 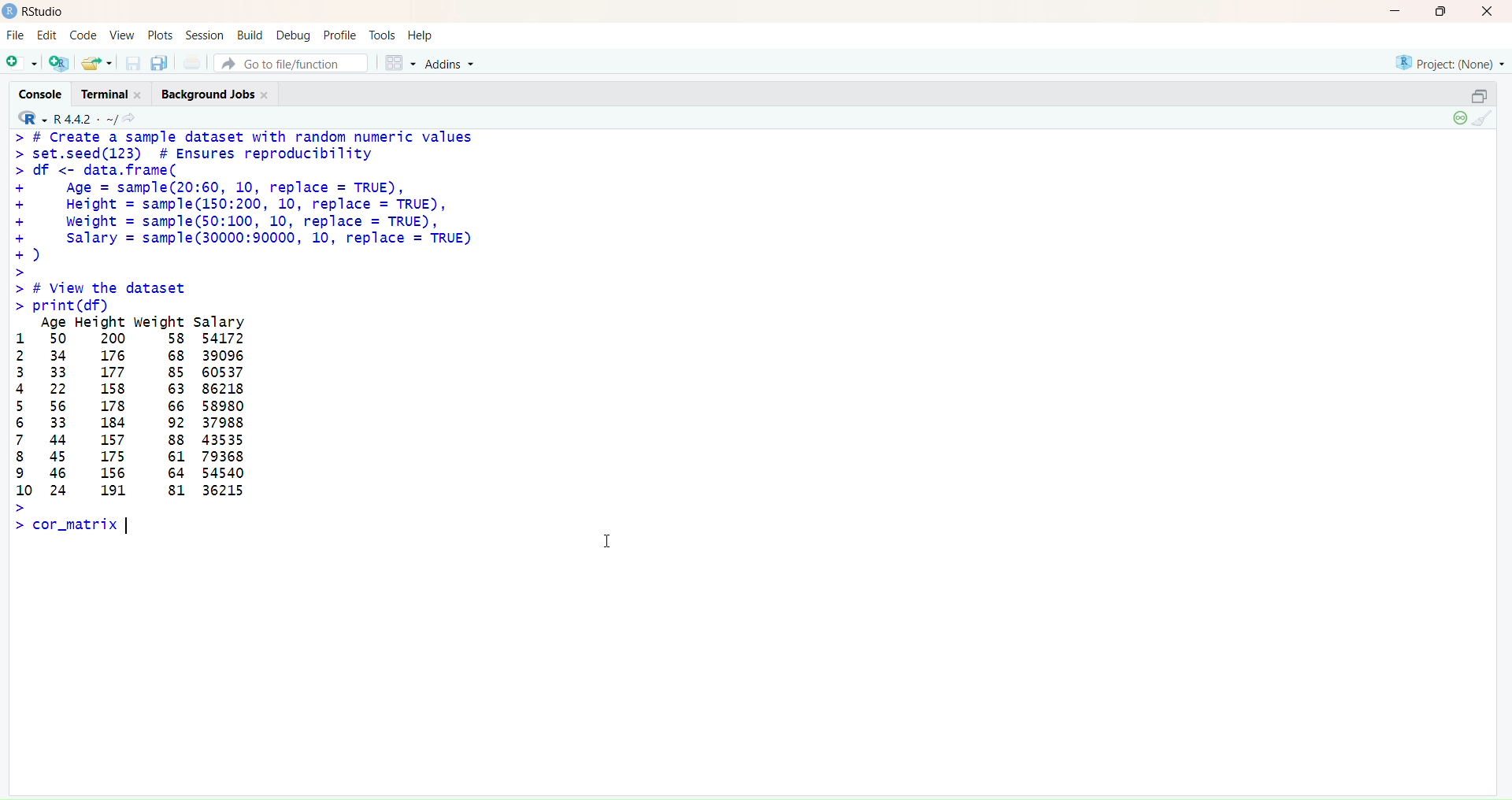 What do you see at coordinates (1452, 65) in the screenshot?
I see `Project (None)` at bounding box center [1452, 65].